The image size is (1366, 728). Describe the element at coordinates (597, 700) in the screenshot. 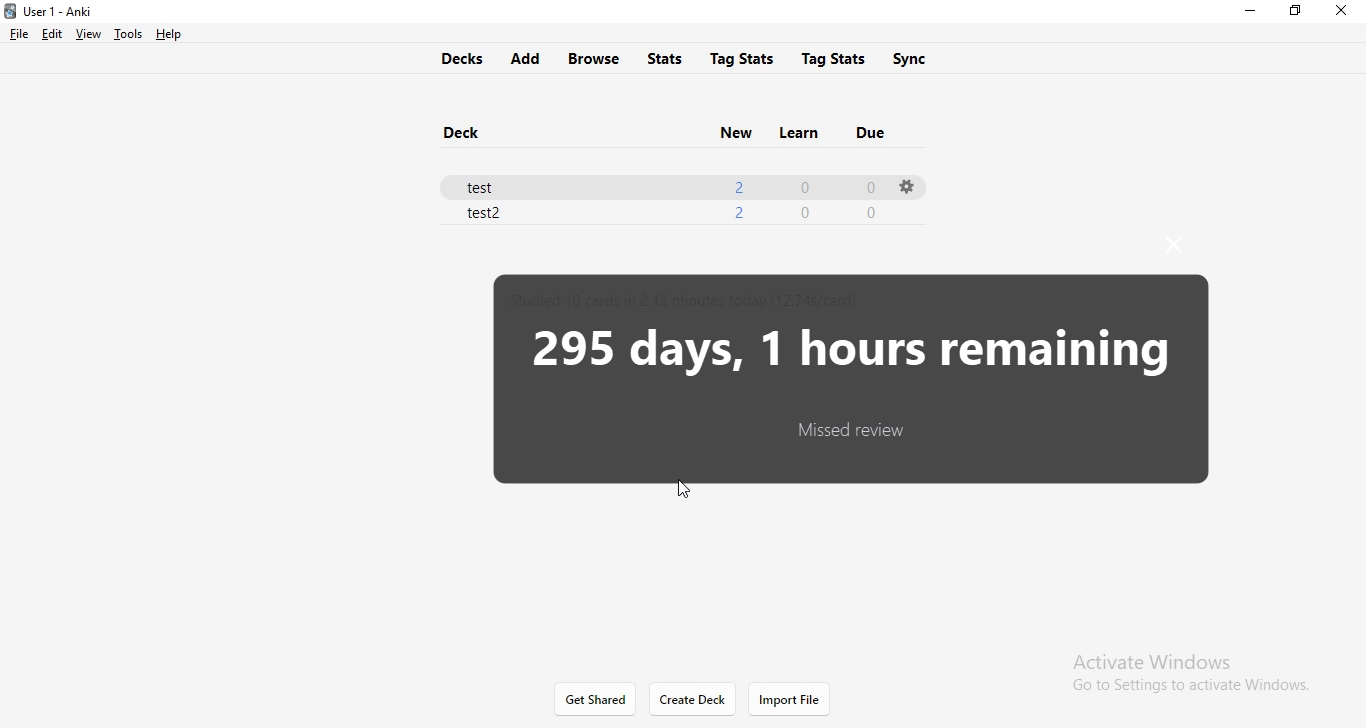

I see `get shared` at that location.